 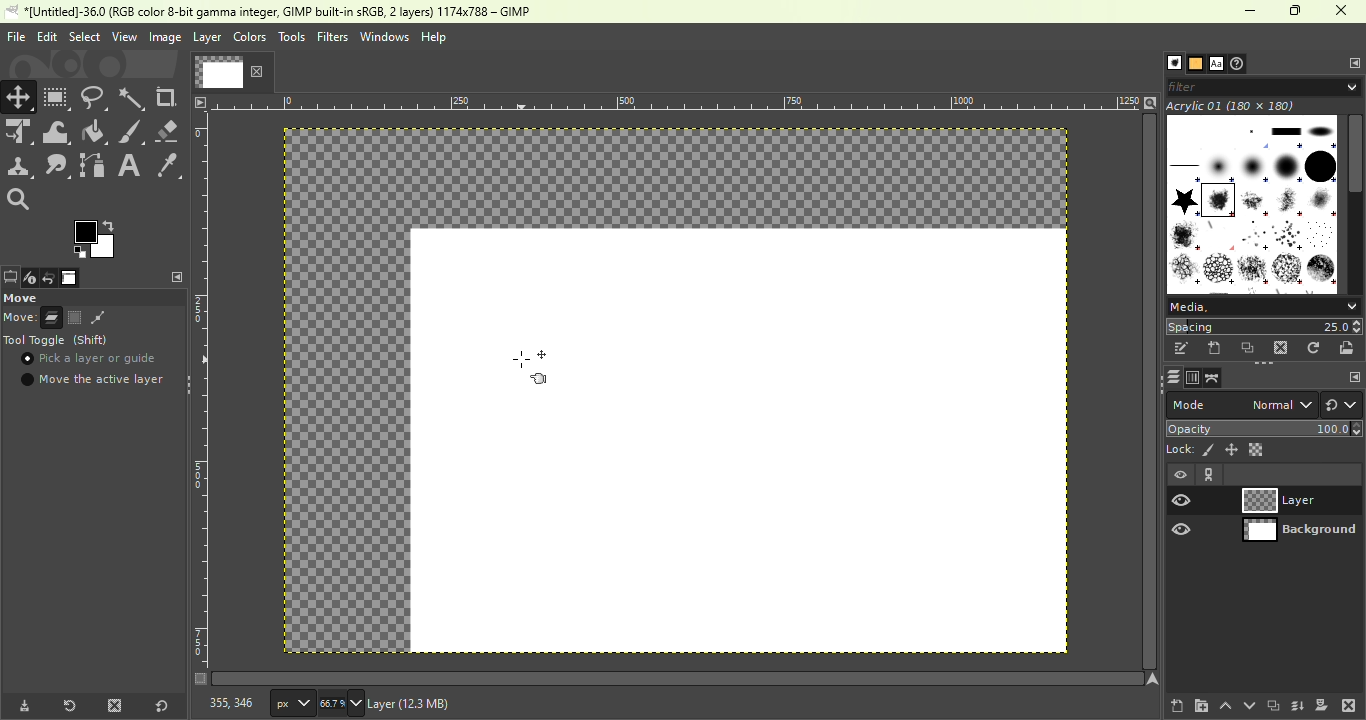 What do you see at coordinates (1266, 428) in the screenshot?
I see `Opacity` at bounding box center [1266, 428].